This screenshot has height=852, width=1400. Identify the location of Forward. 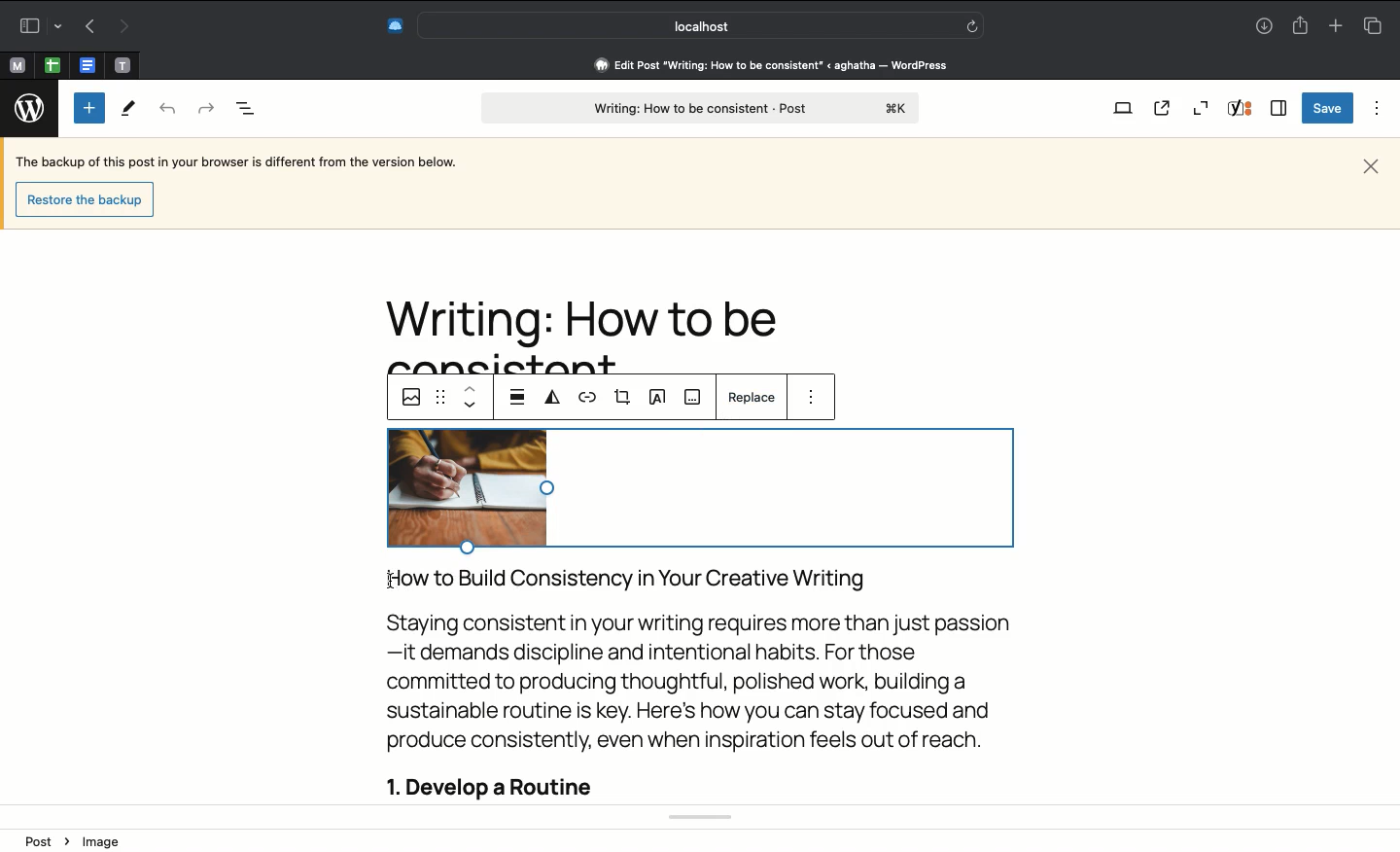
(205, 109).